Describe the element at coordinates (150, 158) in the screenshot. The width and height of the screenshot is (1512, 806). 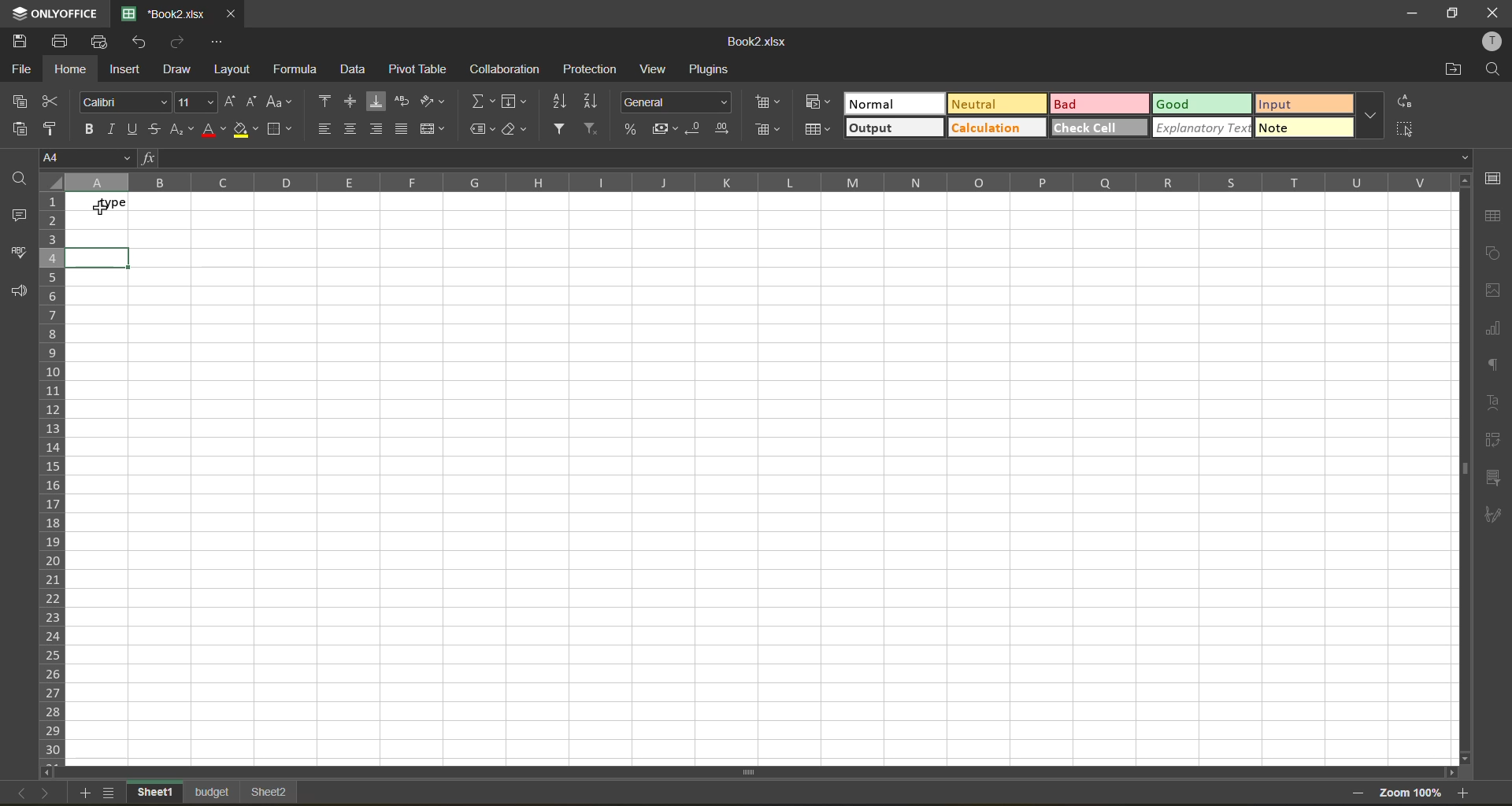
I see `fx` at that location.